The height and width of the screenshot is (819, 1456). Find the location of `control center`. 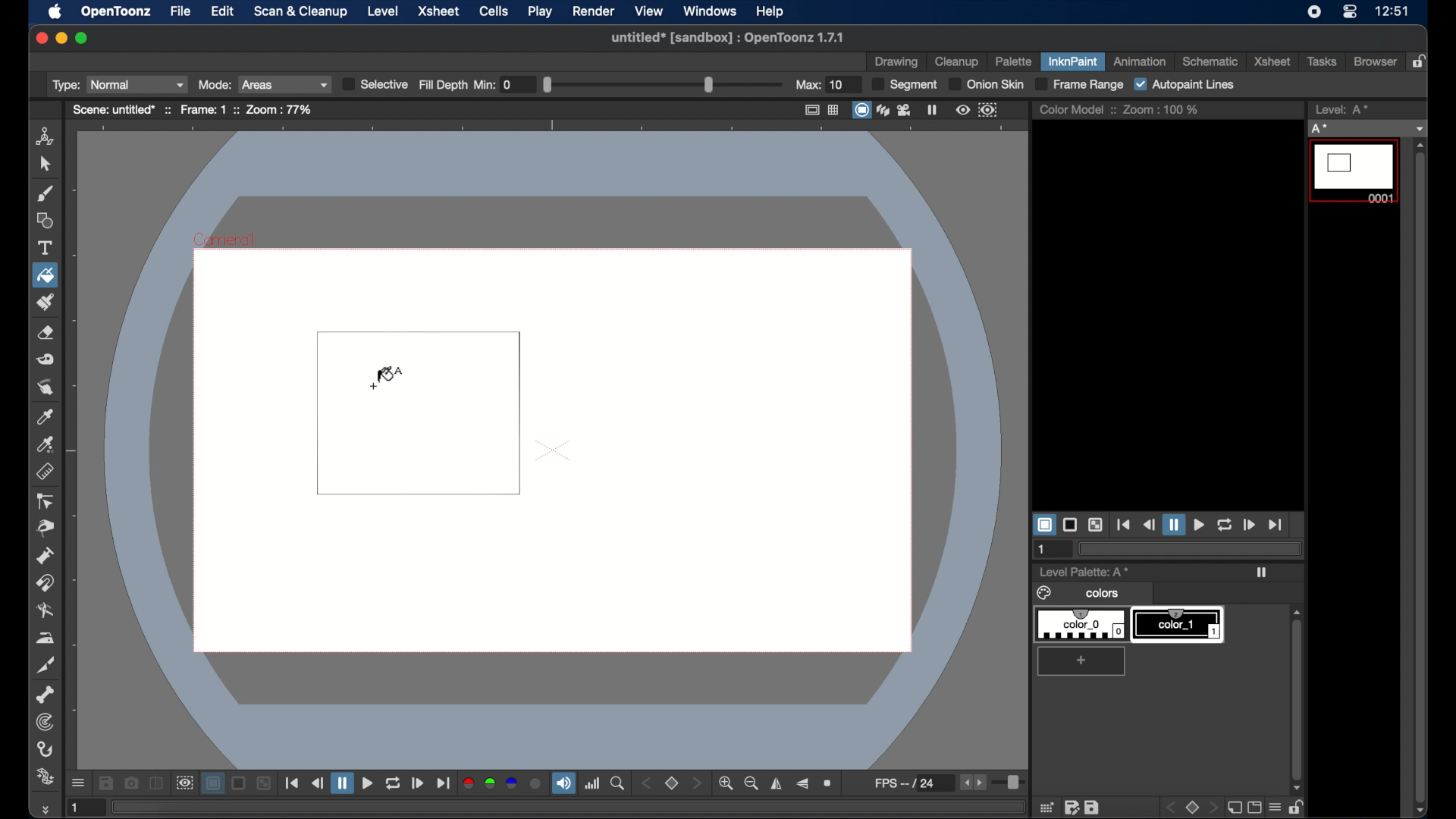

control center is located at coordinates (1350, 12).